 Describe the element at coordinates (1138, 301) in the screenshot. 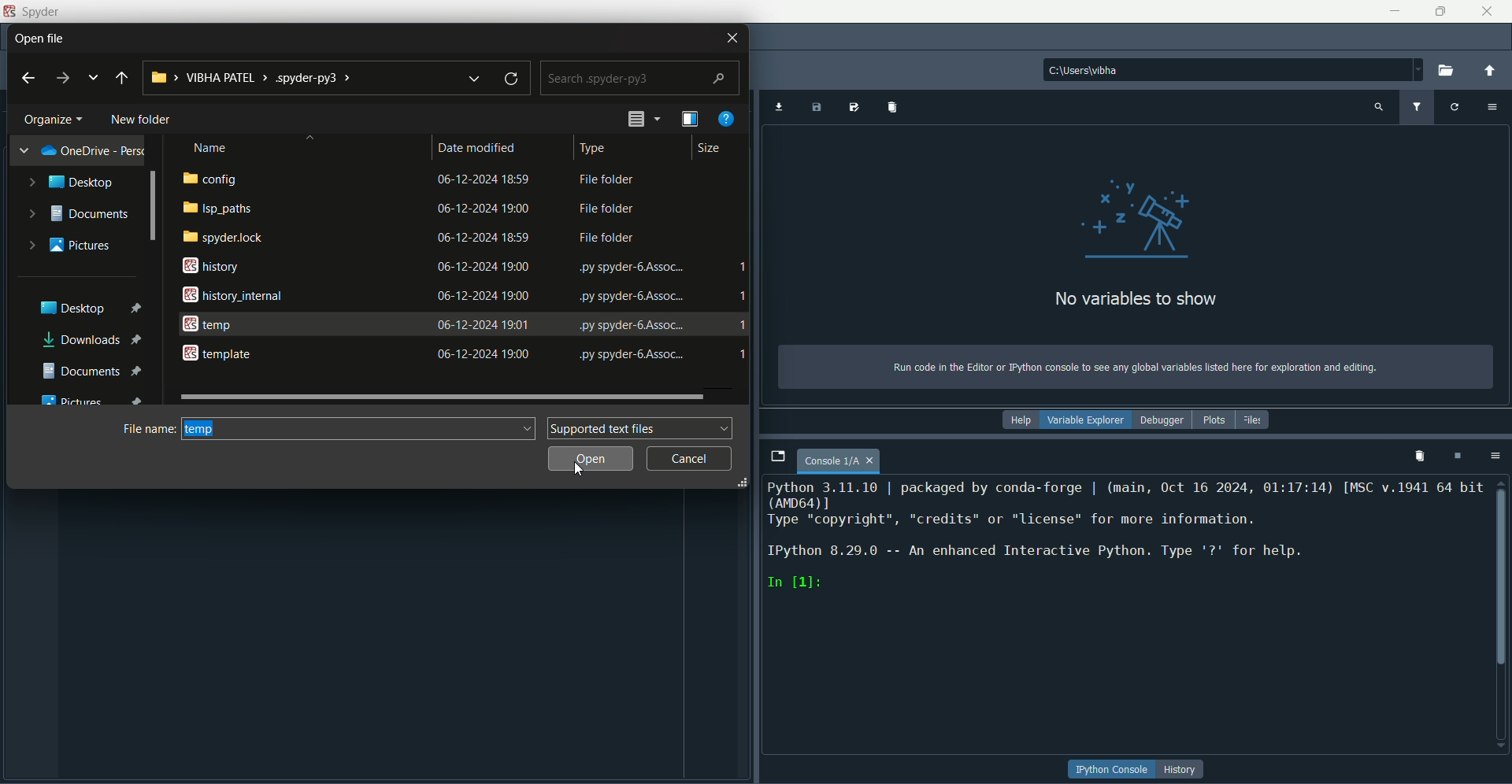

I see `text` at that location.